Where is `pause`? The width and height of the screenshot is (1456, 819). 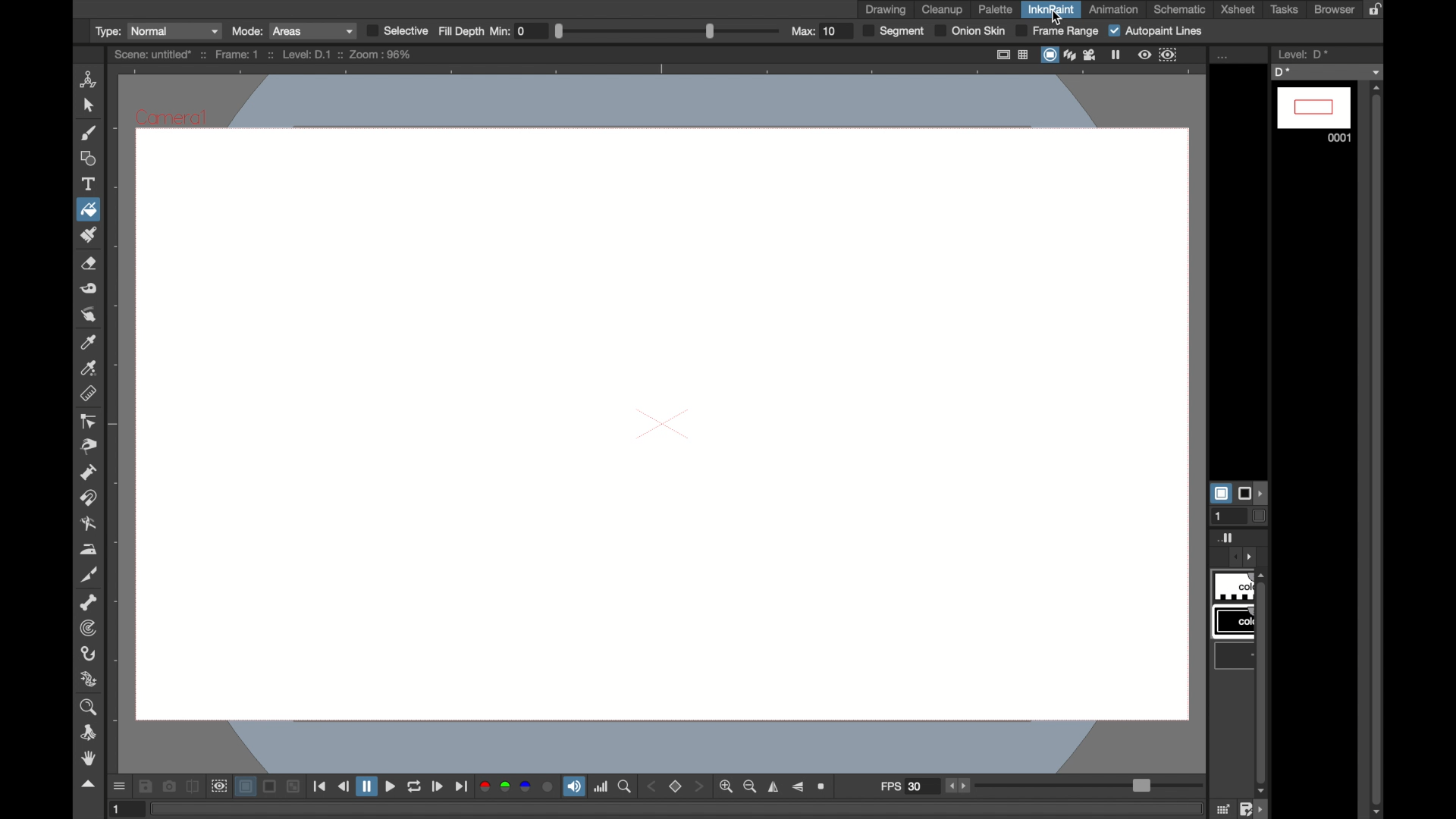 pause is located at coordinates (366, 786).